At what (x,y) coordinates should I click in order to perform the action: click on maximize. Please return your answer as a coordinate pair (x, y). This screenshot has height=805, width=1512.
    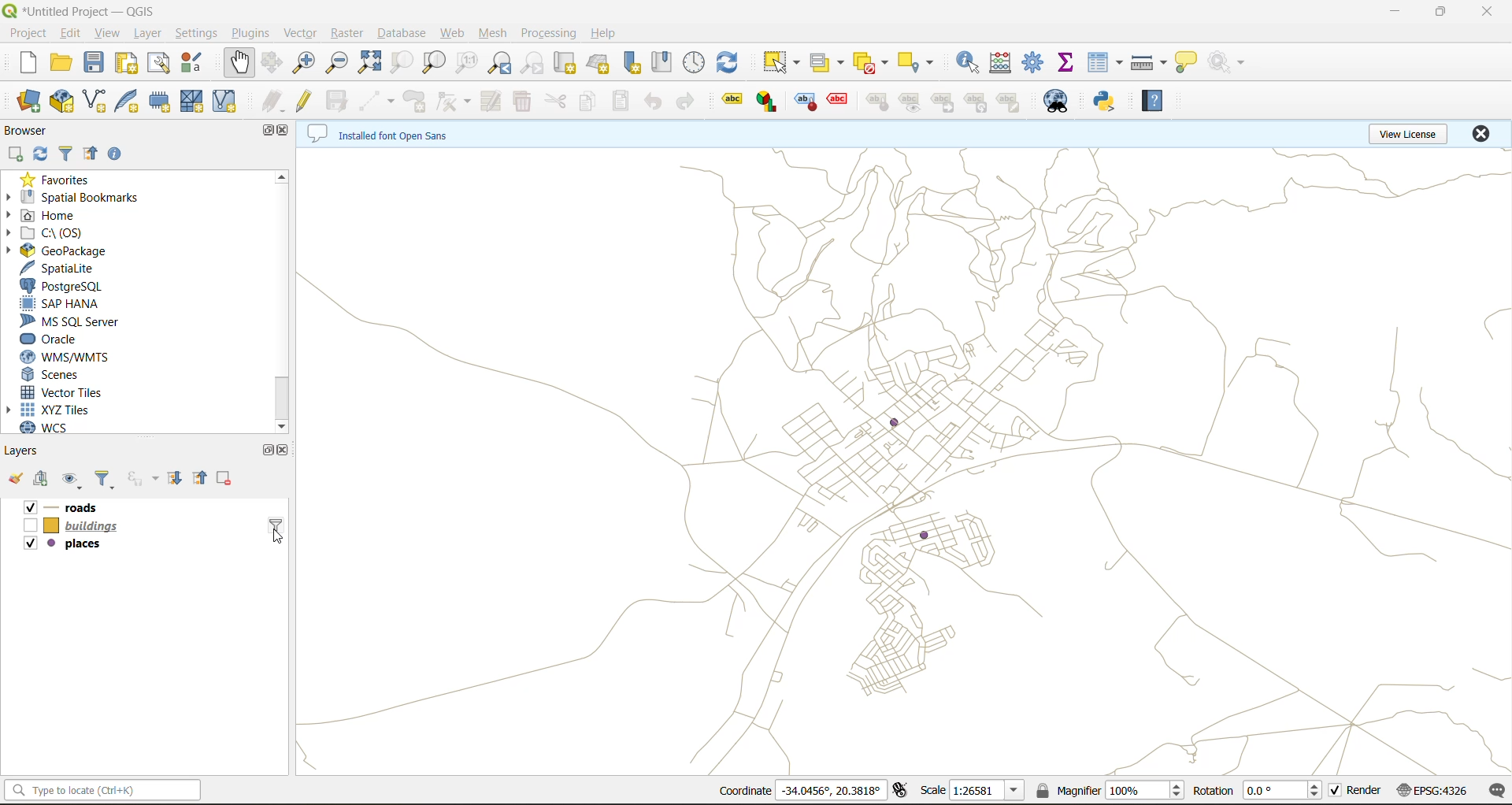
    Looking at the image, I should click on (267, 451).